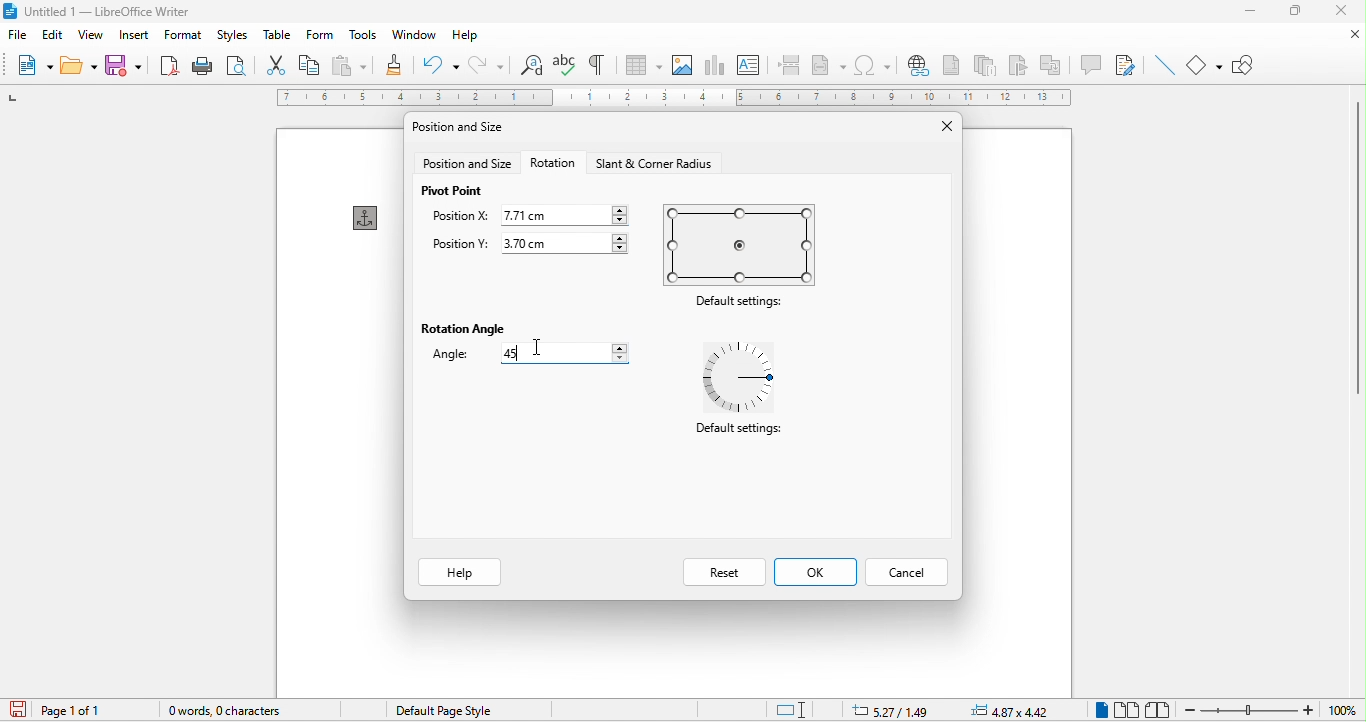  I want to click on new, so click(34, 67).